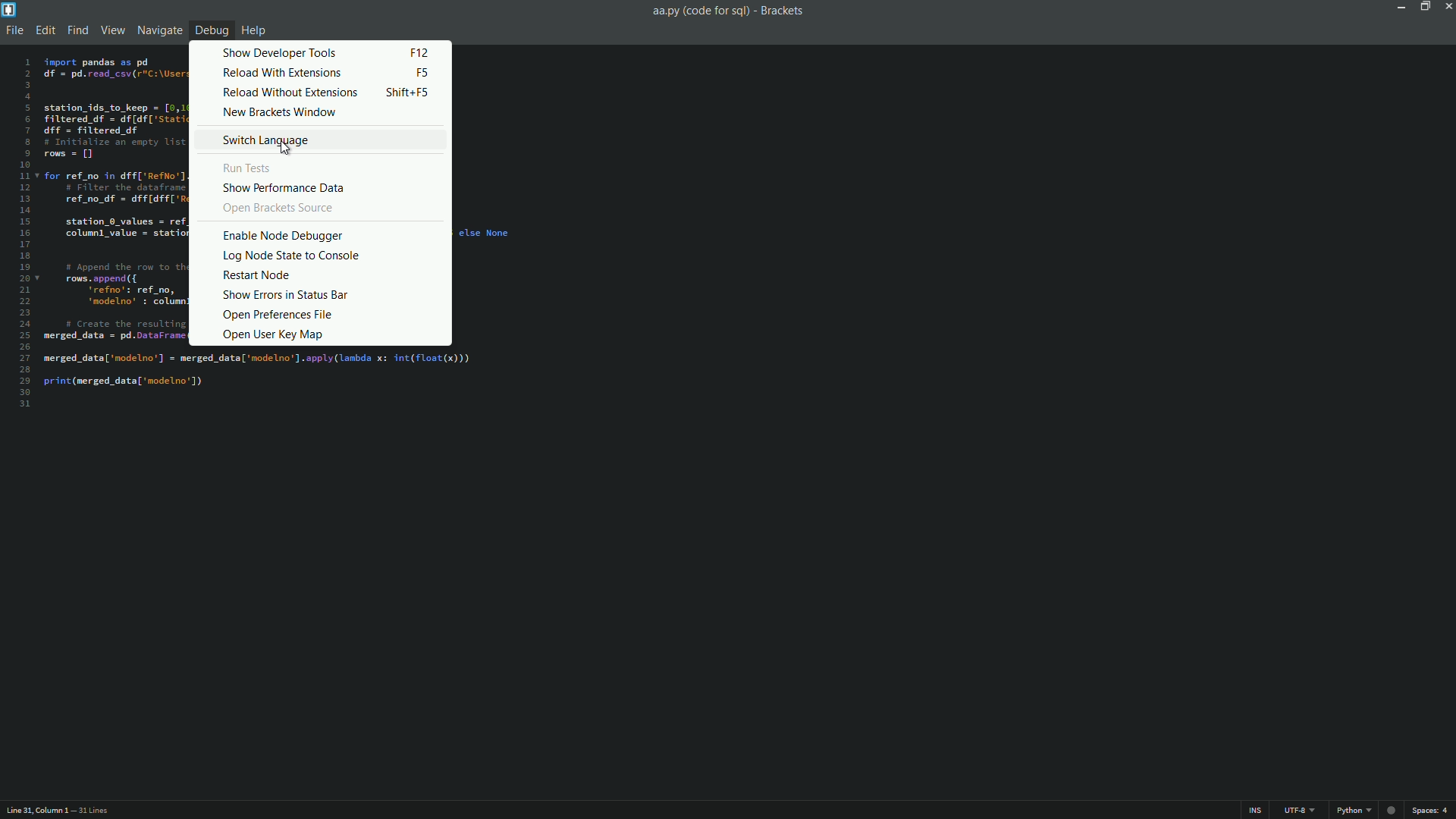  I want to click on file encoding, so click(1298, 811).